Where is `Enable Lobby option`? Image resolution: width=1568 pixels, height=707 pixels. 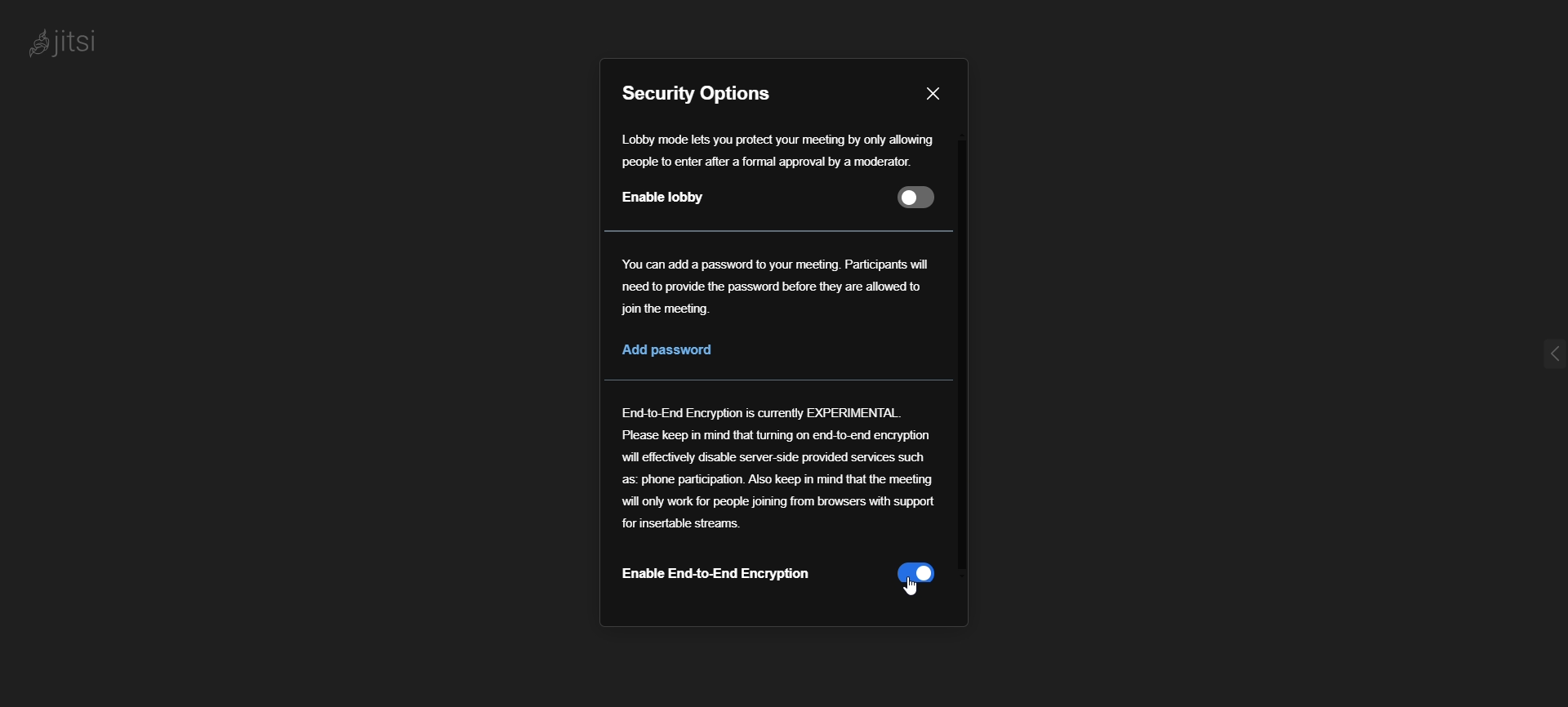 Enable Lobby option is located at coordinates (782, 201).